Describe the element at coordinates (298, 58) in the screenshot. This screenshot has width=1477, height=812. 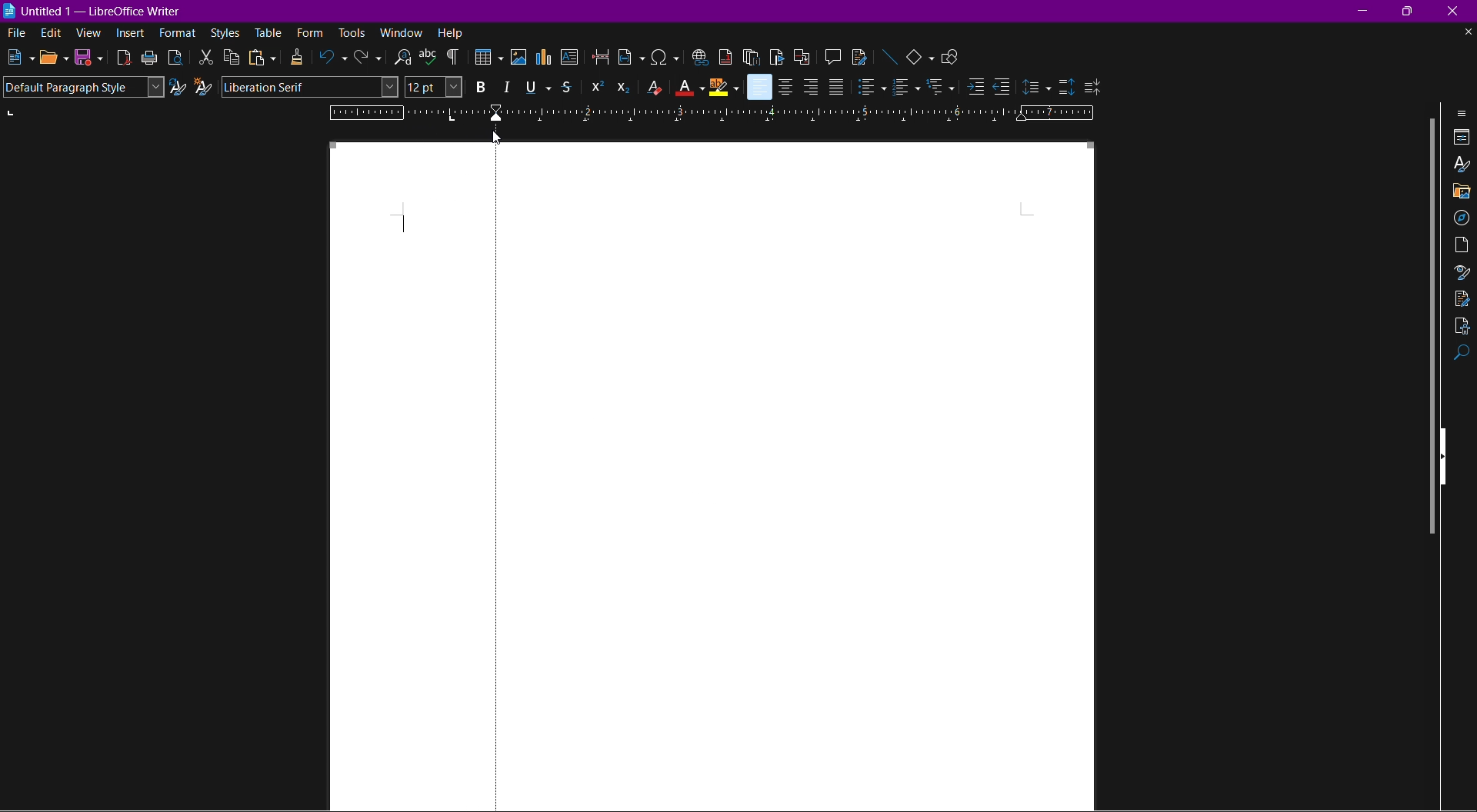
I see `Copy Formatting` at that location.